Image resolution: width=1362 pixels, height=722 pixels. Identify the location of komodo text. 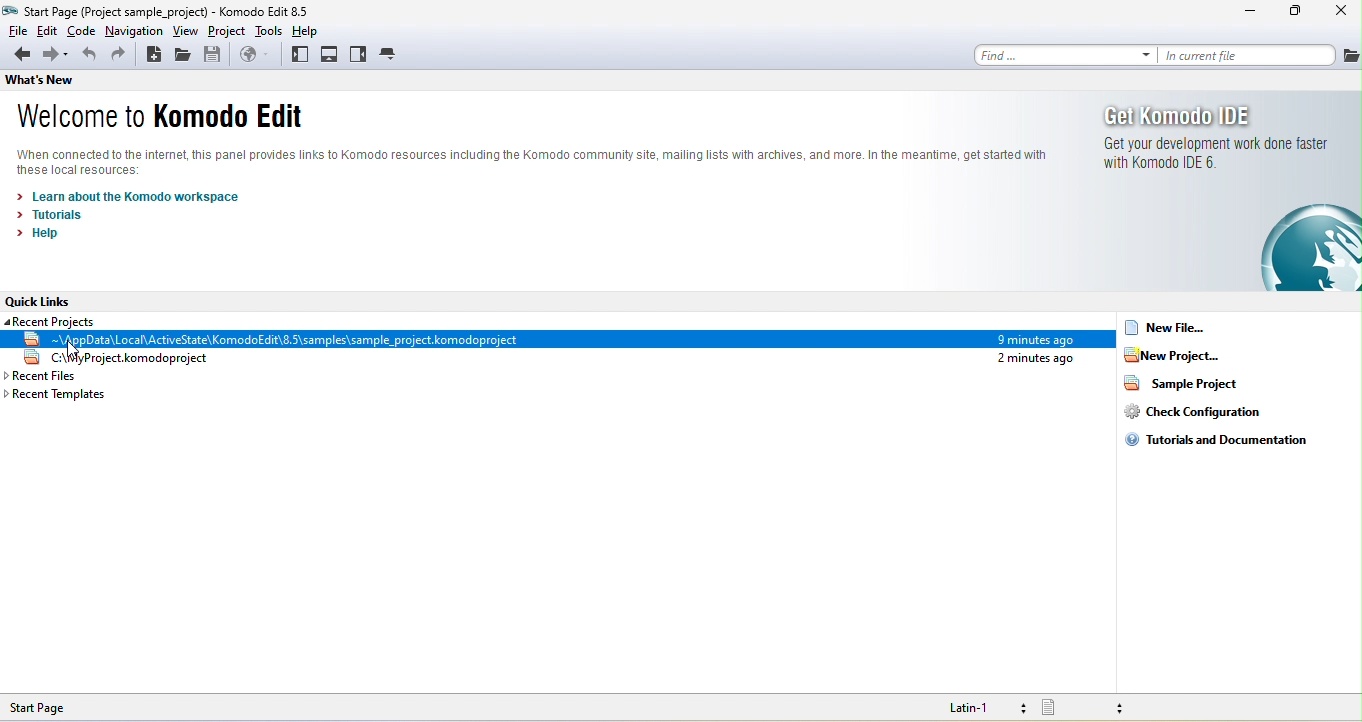
(535, 164).